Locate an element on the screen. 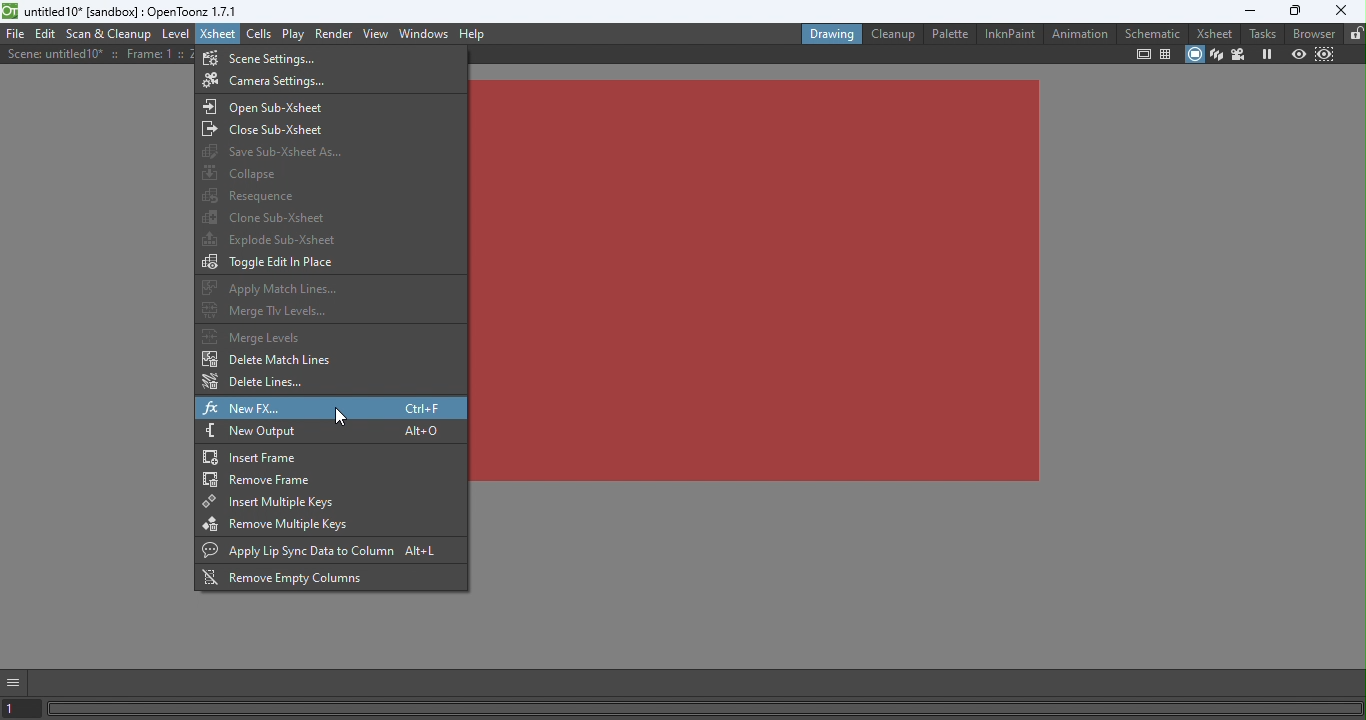  Preview is located at coordinates (1298, 53).